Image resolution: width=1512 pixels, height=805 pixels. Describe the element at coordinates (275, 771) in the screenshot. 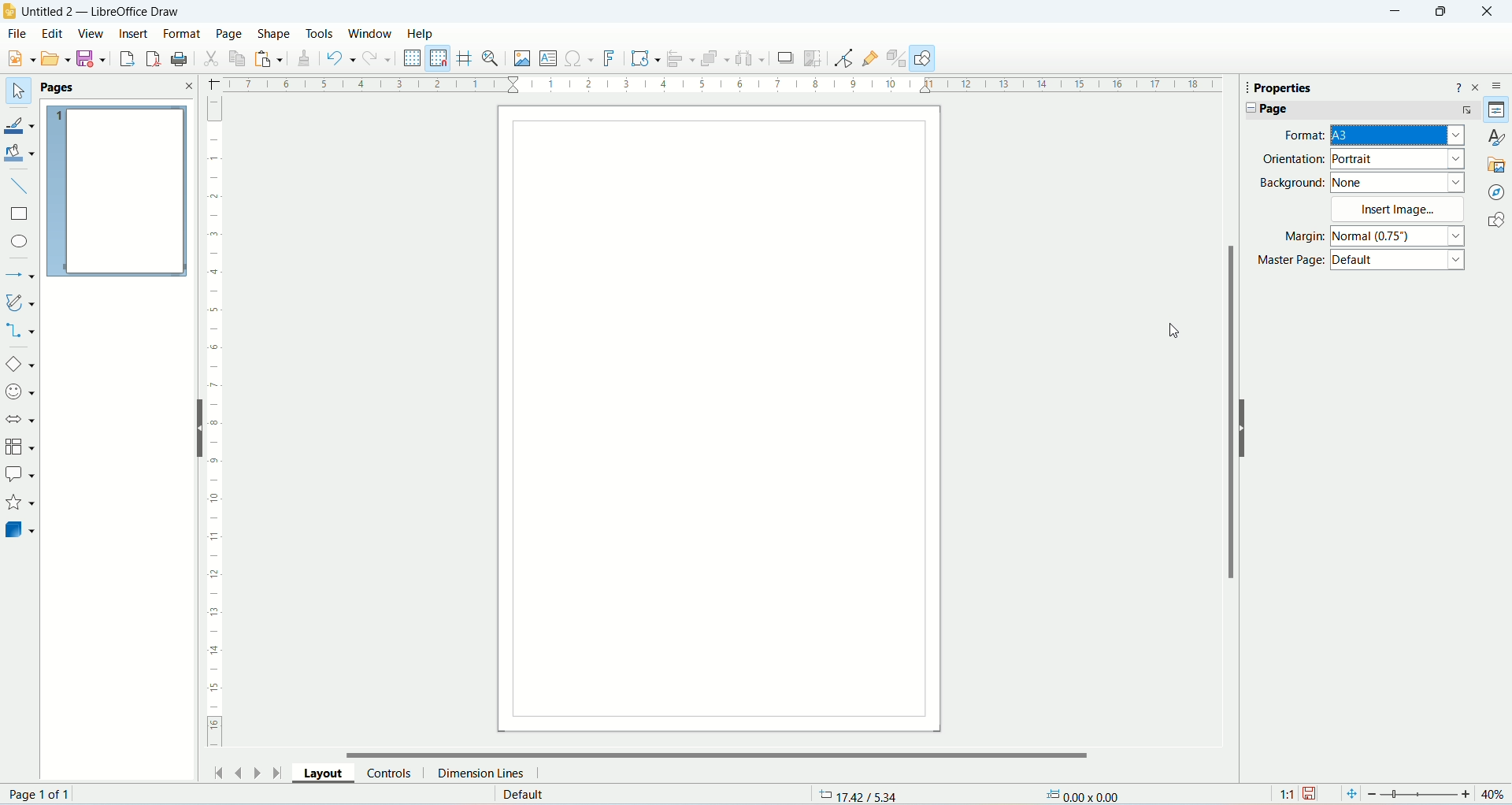

I see `go to last page` at that location.